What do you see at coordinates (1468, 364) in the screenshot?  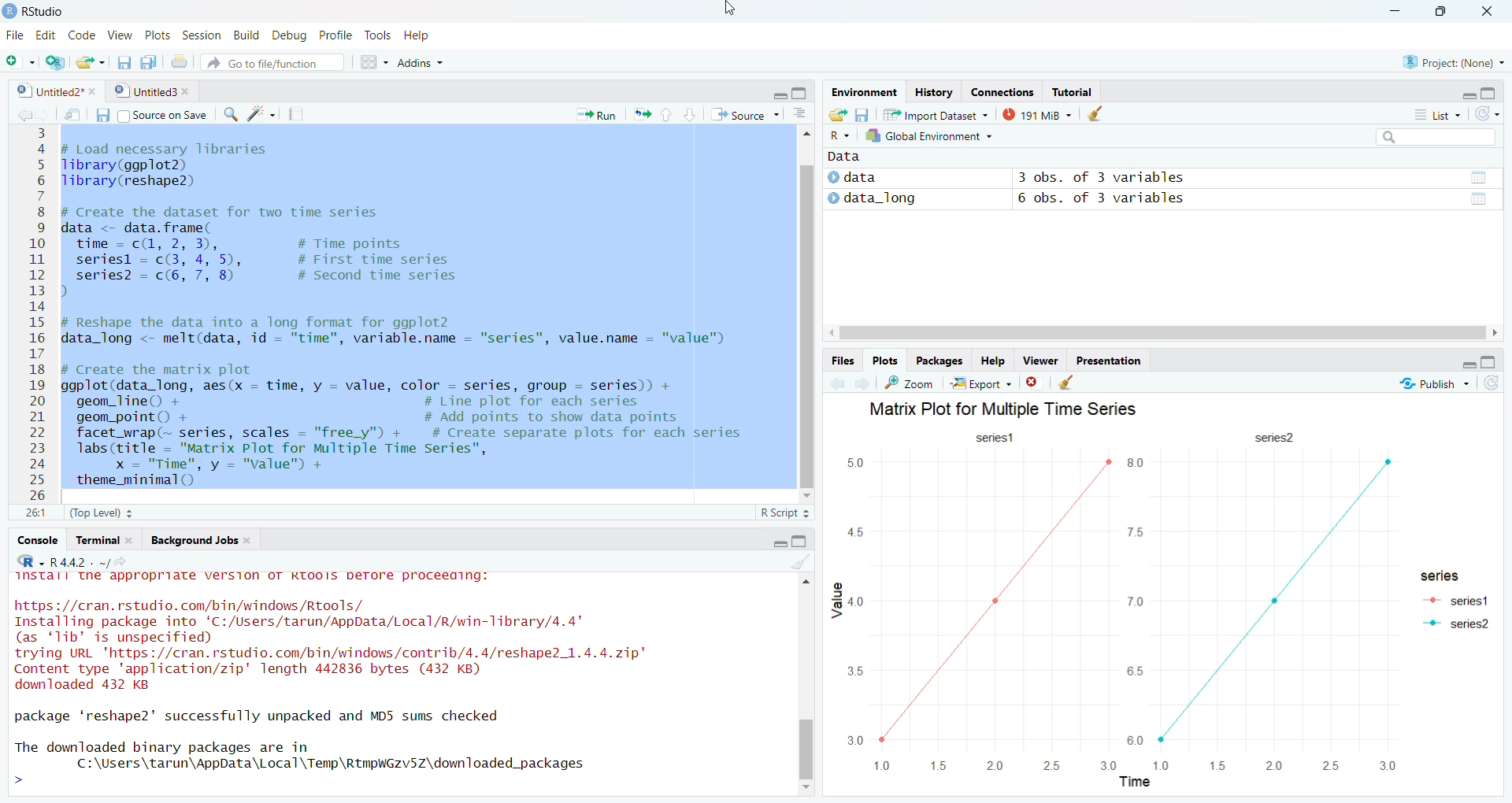 I see `minimize` at bounding box center [1468, 364].